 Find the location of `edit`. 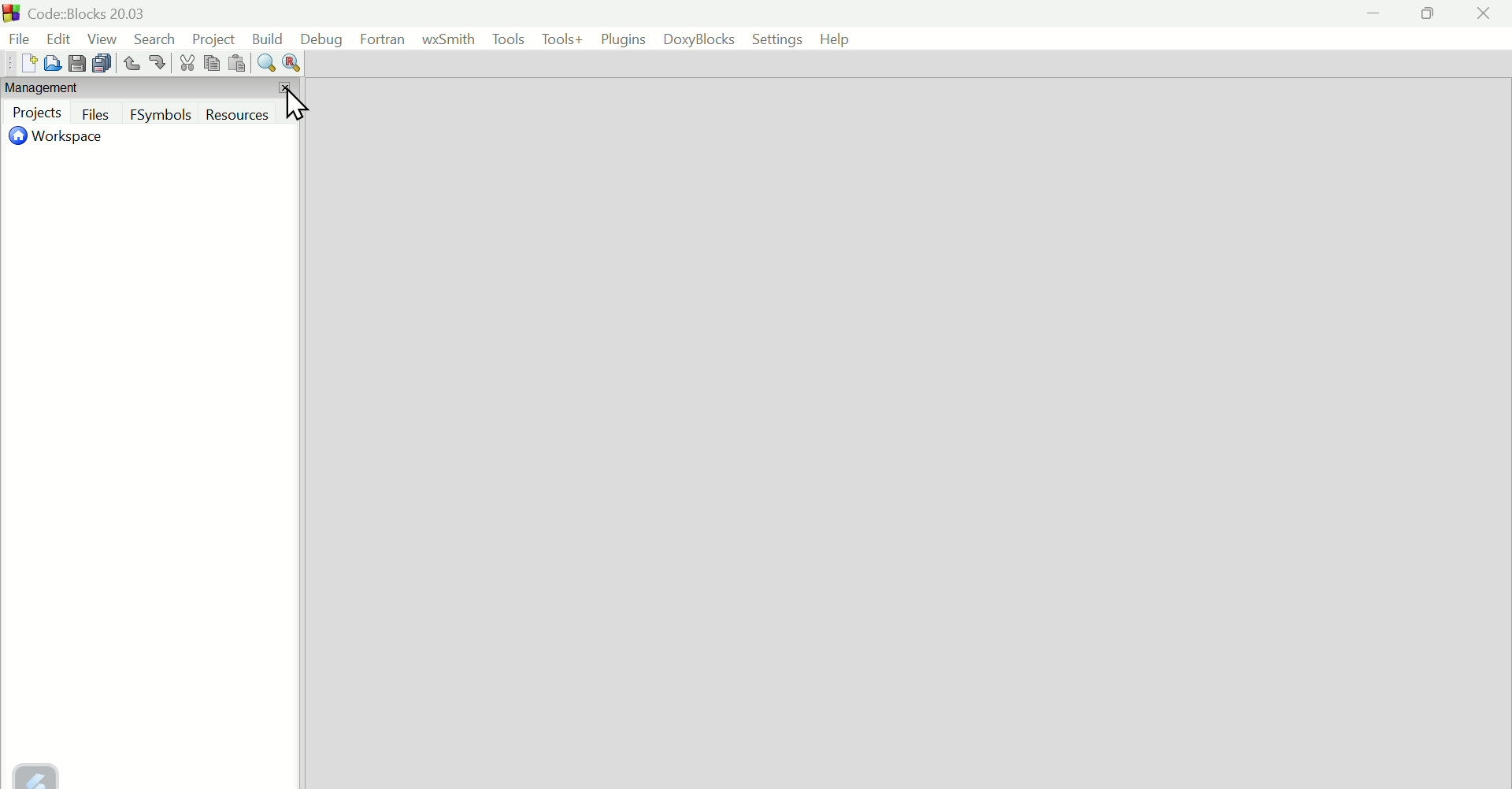

edit is located at coordinates (57, 38).